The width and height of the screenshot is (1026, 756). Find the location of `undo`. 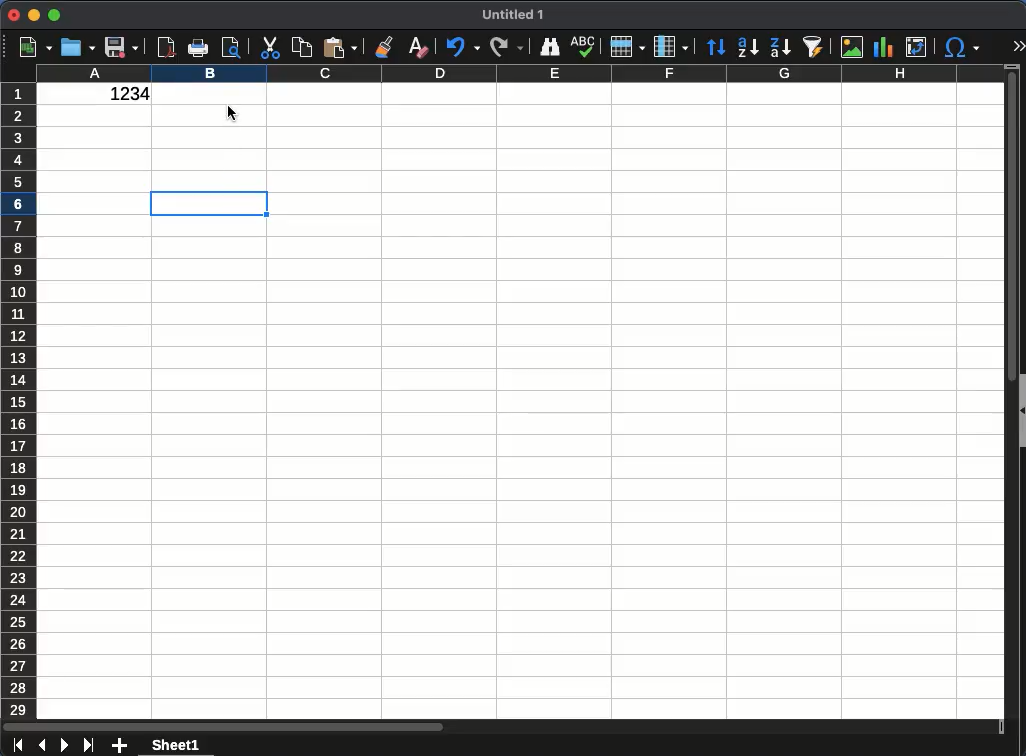

undo is located at coordinates (462, 48).